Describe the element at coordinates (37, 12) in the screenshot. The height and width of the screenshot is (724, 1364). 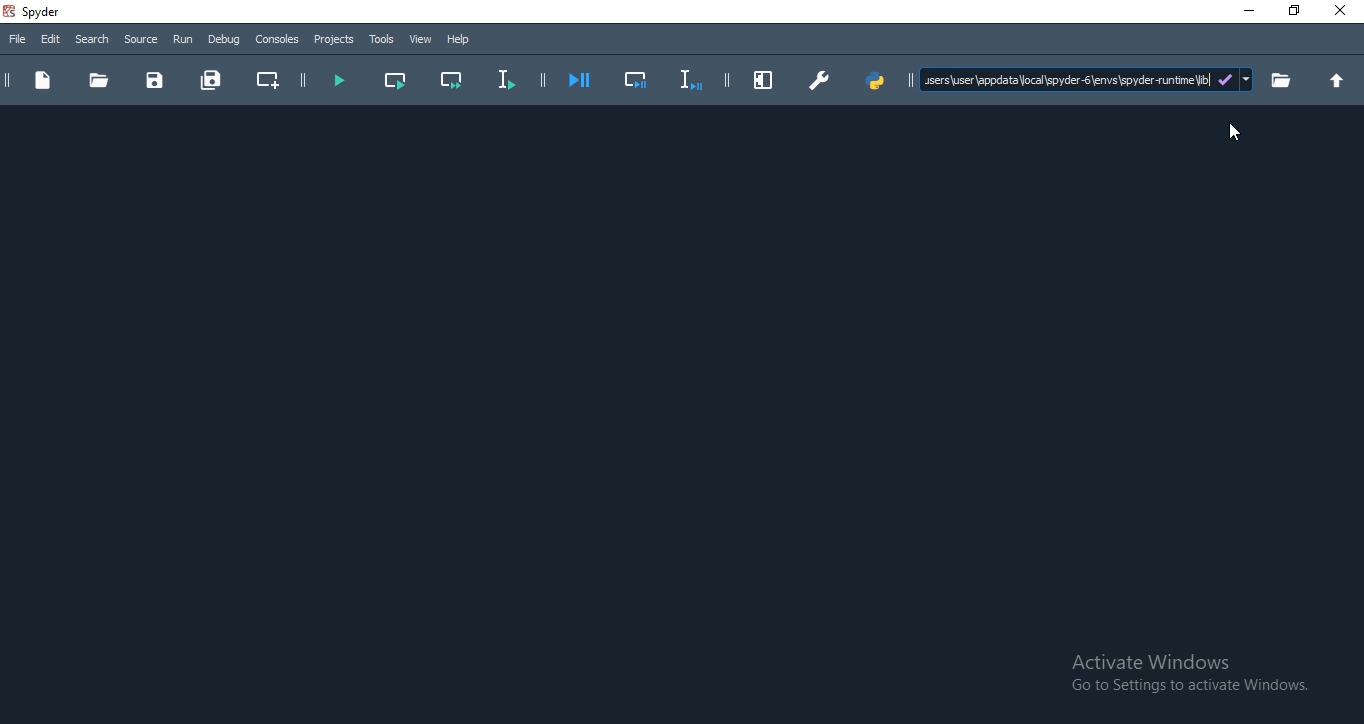
I see `spyder  Desktop Icon` at that location.